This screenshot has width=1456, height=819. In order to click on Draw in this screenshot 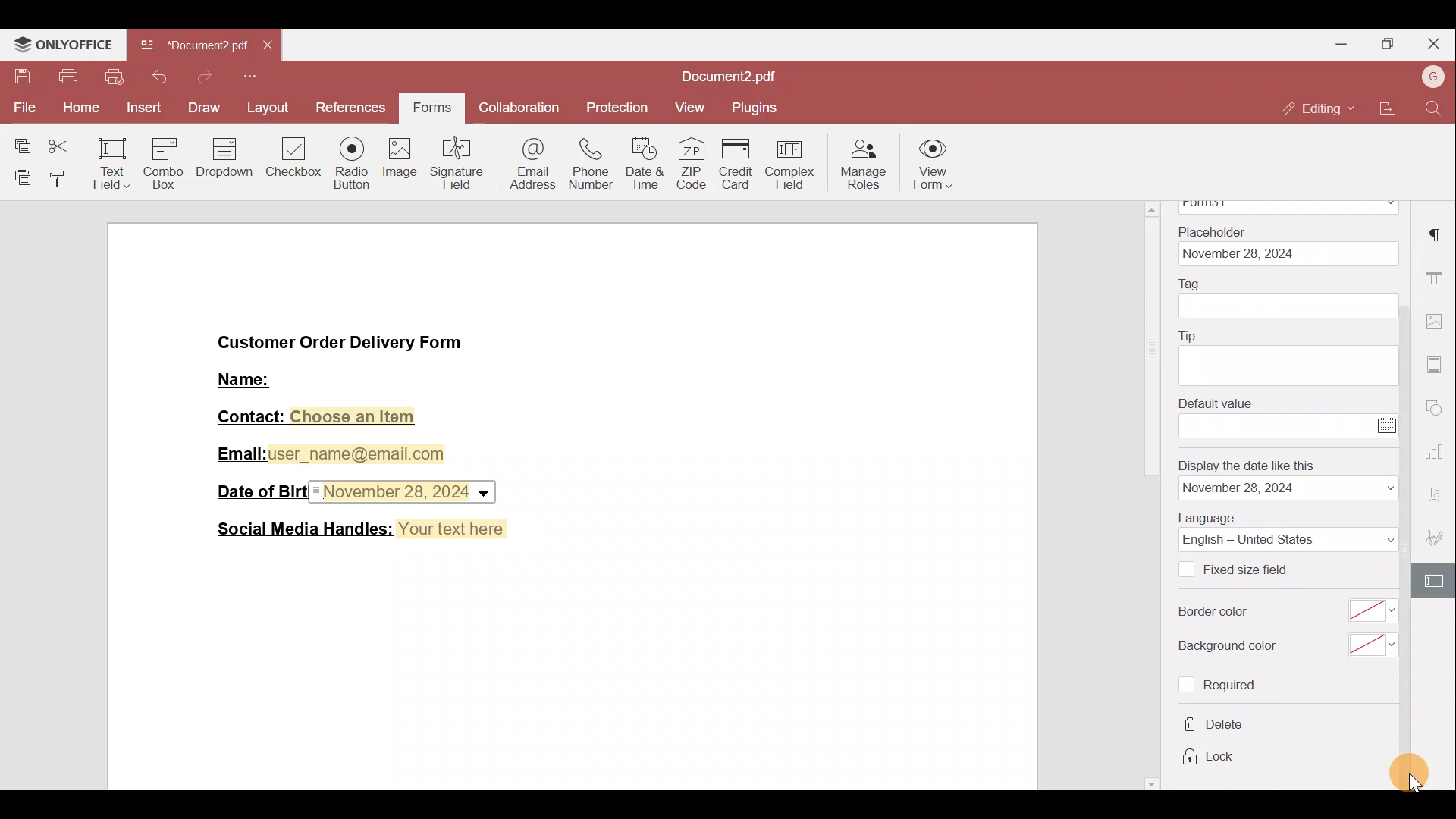, I will do `click(202, 107)`.